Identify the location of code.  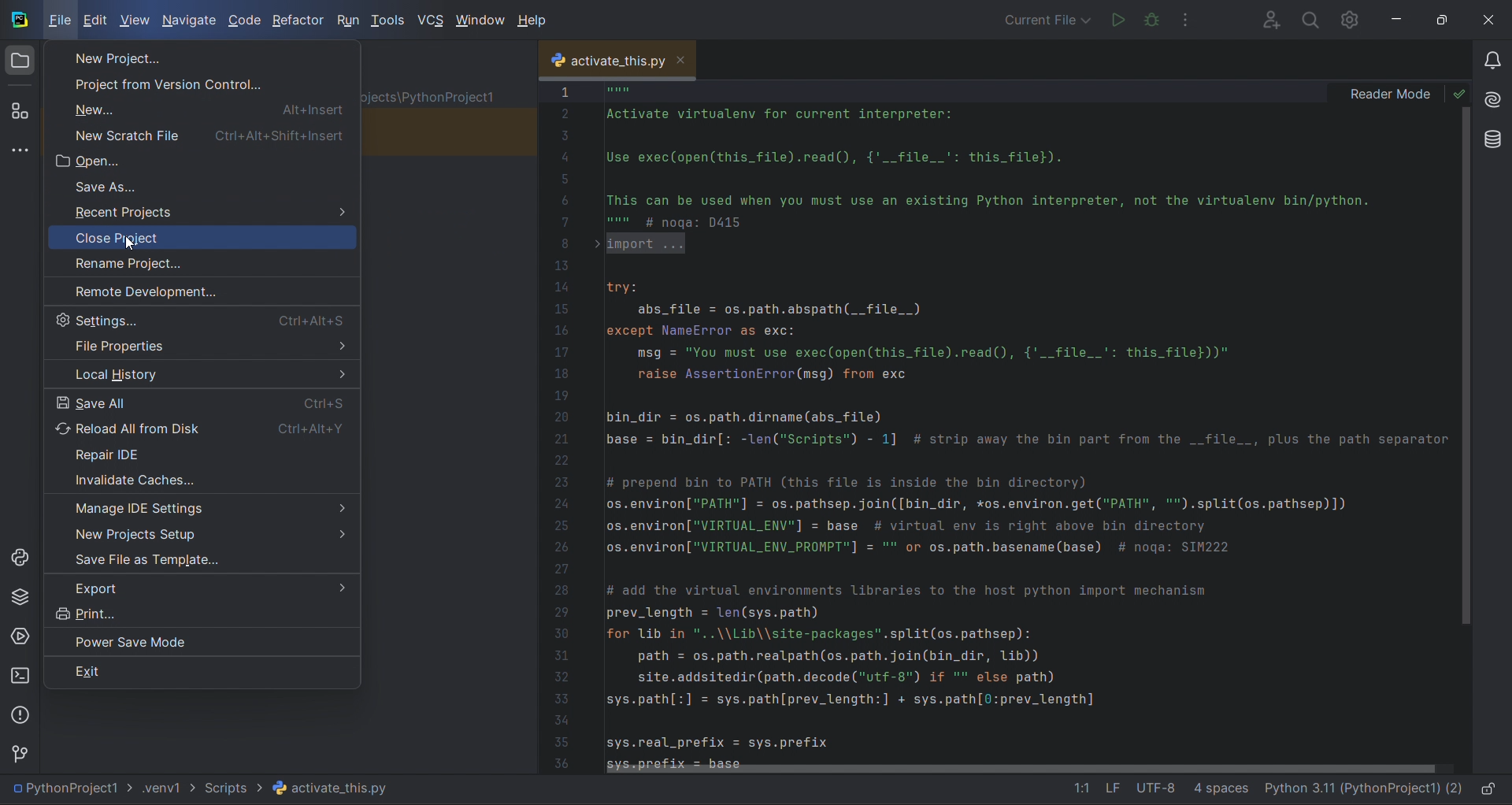
(241, 20).